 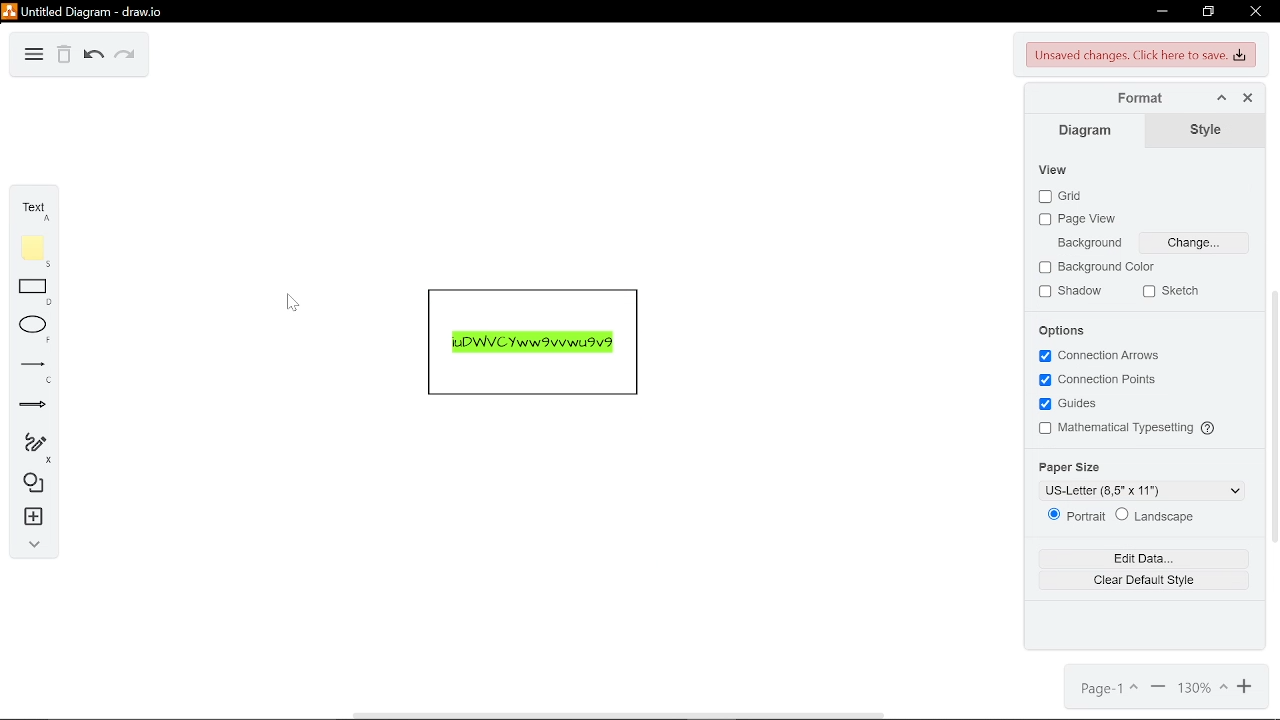 What do you see at coordinates (124, 56) in the screenshot?
I see `redo` at bounding box center [124, 56].